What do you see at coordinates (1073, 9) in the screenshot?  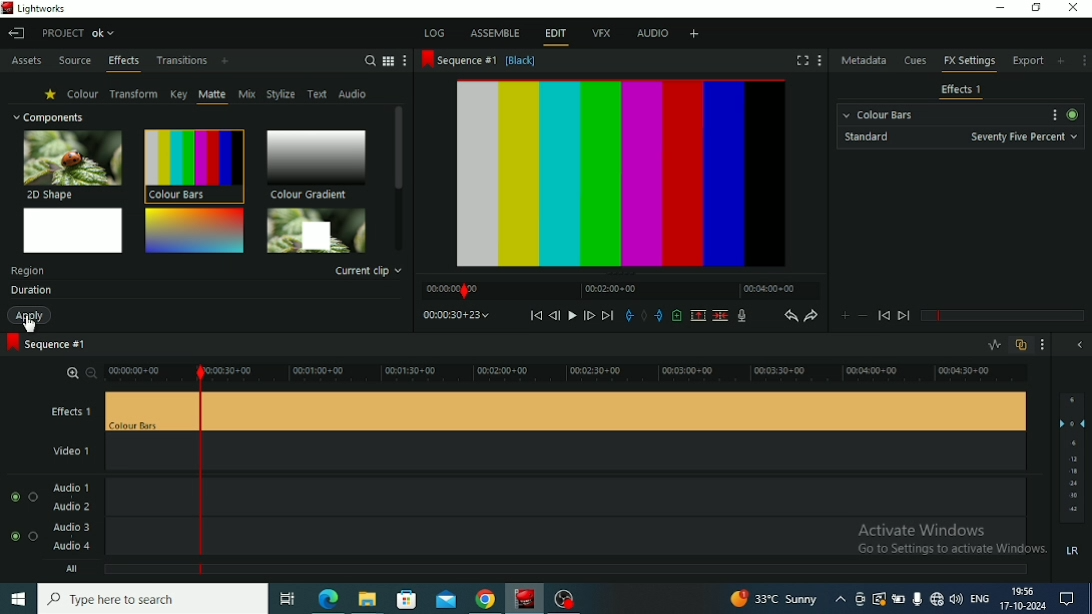 I see `Close` at bounding box center [1073, 9].